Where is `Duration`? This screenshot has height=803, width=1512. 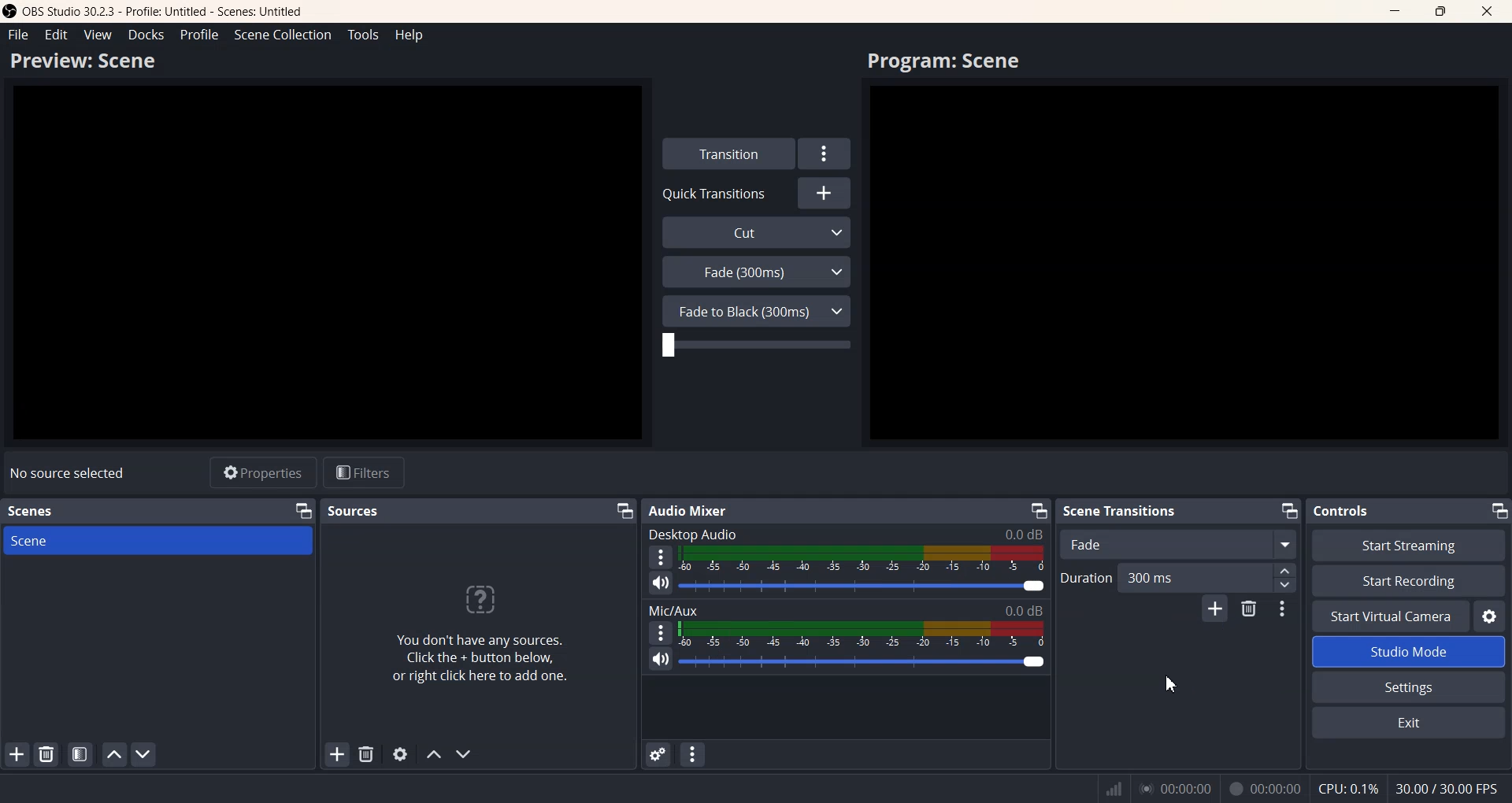
Duration is located at coordinates (1164, 577).